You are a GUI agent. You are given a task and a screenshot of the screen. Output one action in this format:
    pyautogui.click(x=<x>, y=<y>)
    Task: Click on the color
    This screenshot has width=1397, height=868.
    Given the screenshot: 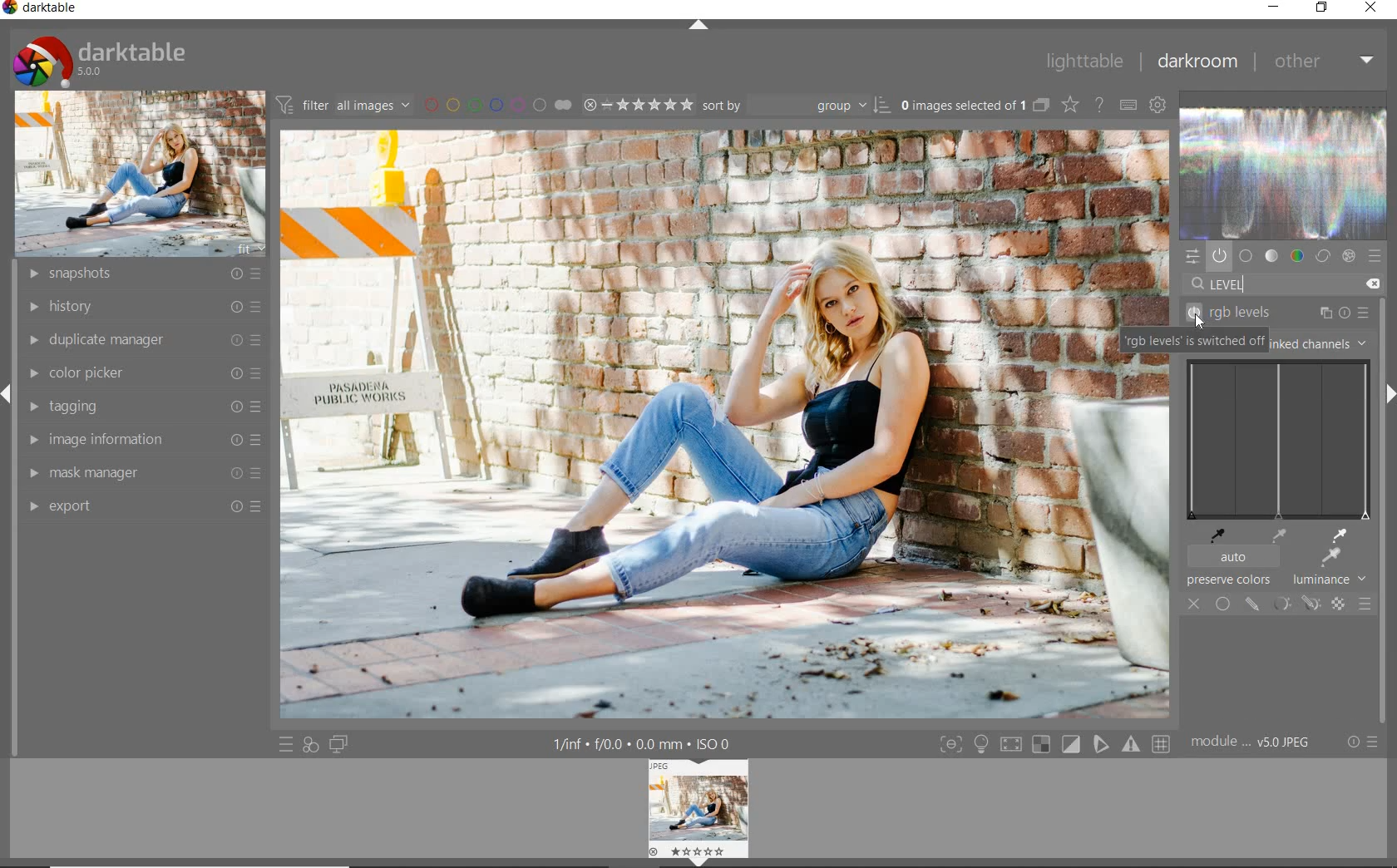 What is the action you would take?
    pyautogui.click(x=1296, y=254)
    